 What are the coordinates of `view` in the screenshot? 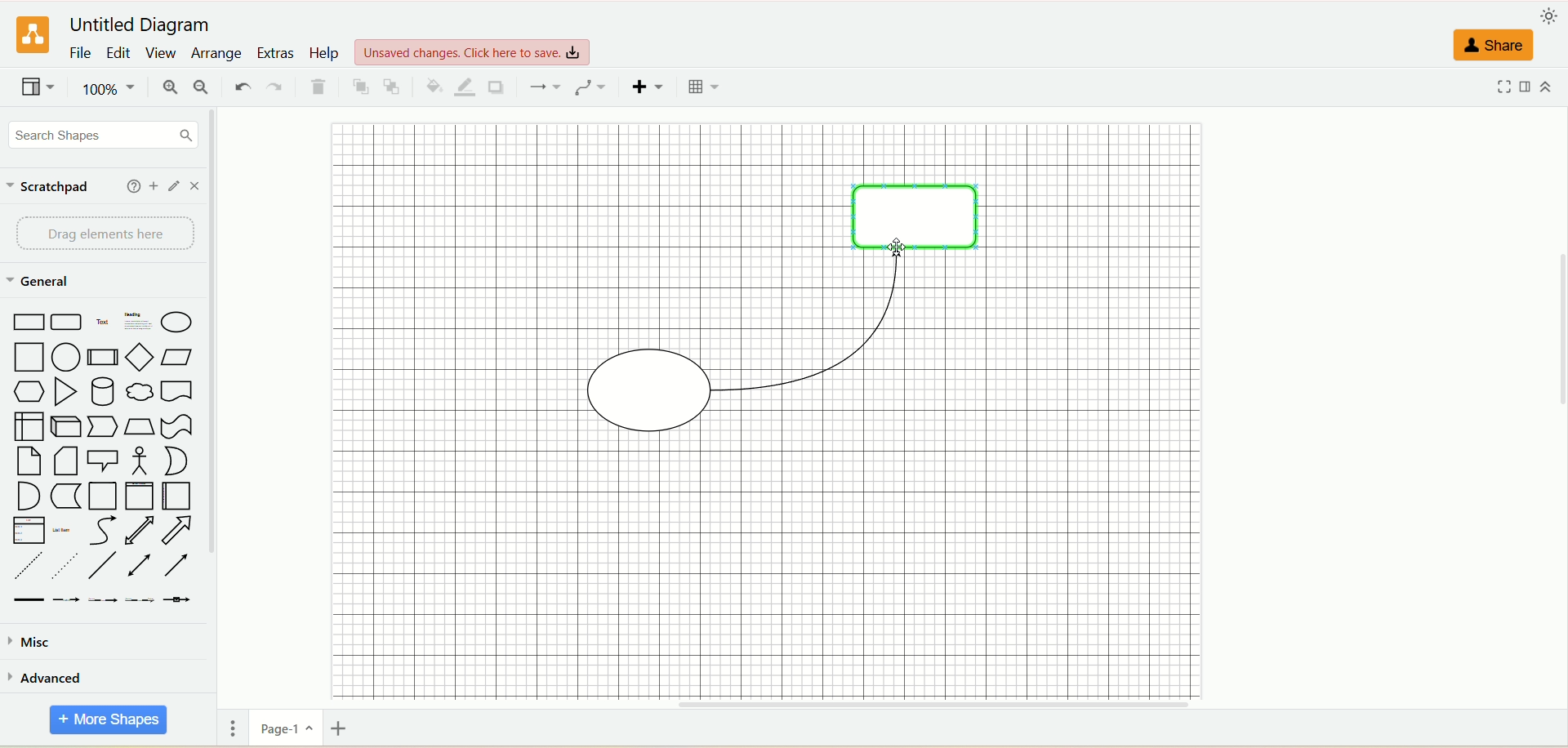 It's located at (474, 51).